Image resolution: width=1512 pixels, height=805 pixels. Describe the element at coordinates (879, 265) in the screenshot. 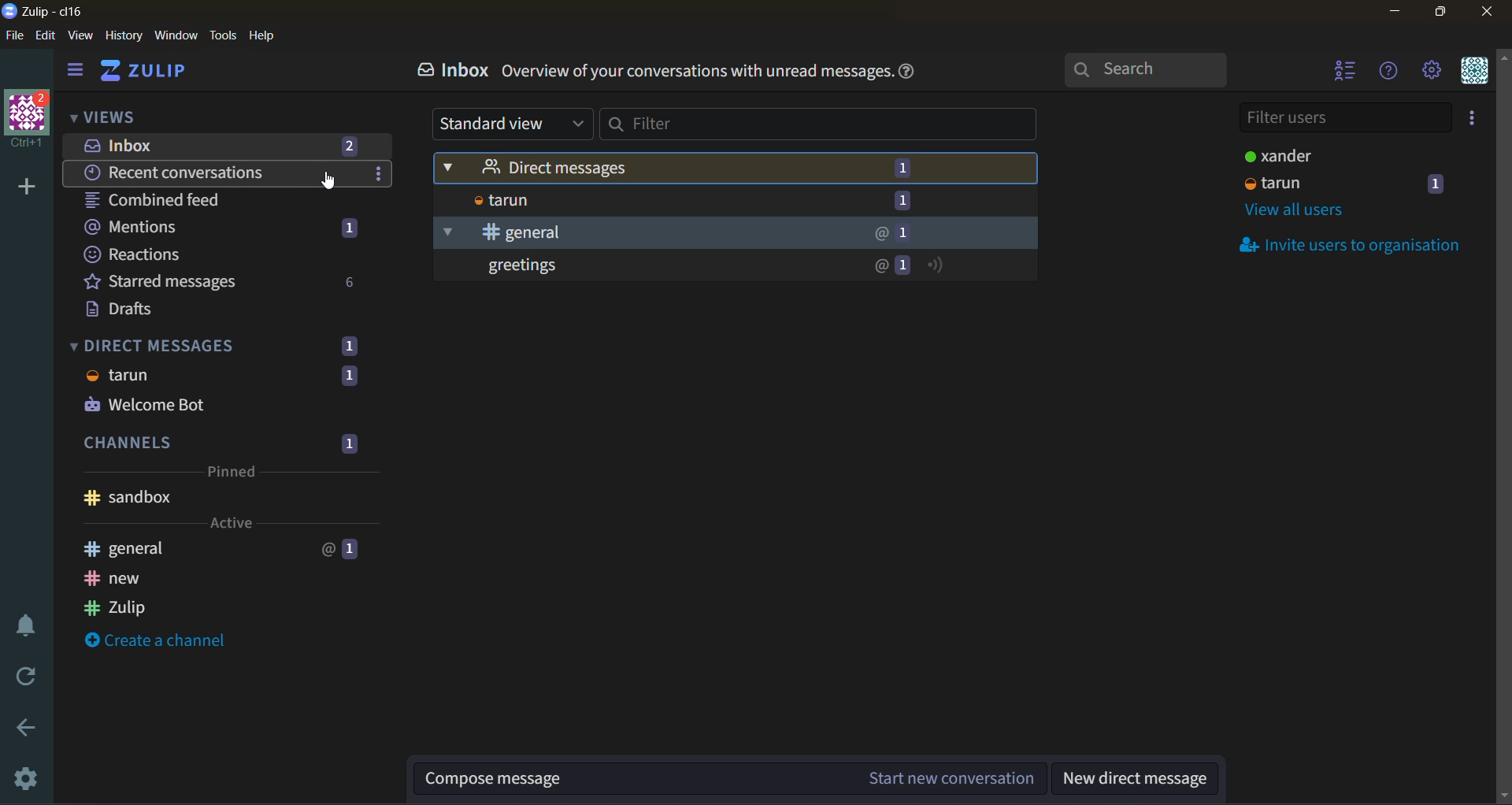

I see `@` at that location.